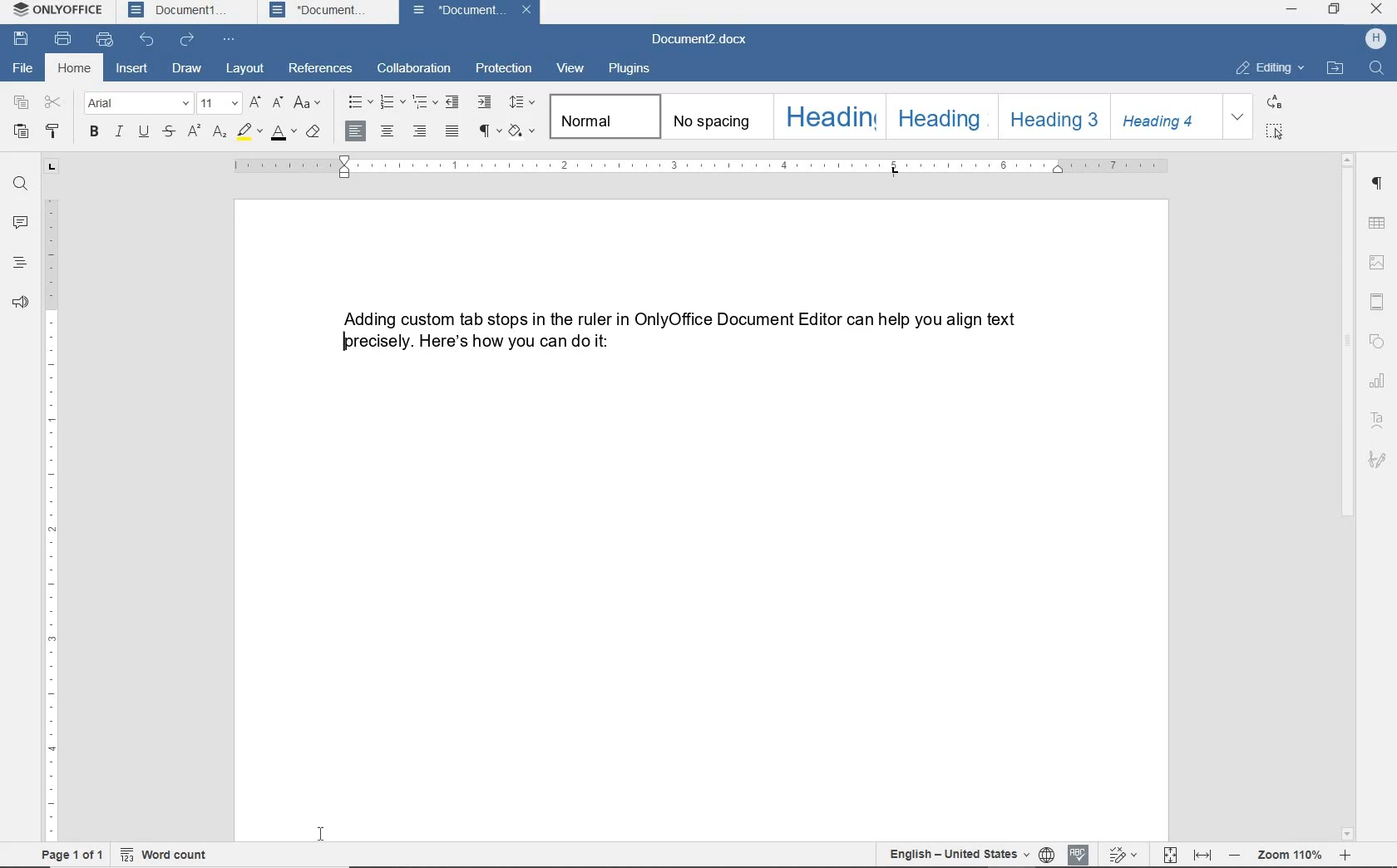 Image resolution: width=1397 pixels, height=868 pixels. What do you see at coordinates (248, 68) in the screenshot?
I see `layout` at bounding box center [248, 68].